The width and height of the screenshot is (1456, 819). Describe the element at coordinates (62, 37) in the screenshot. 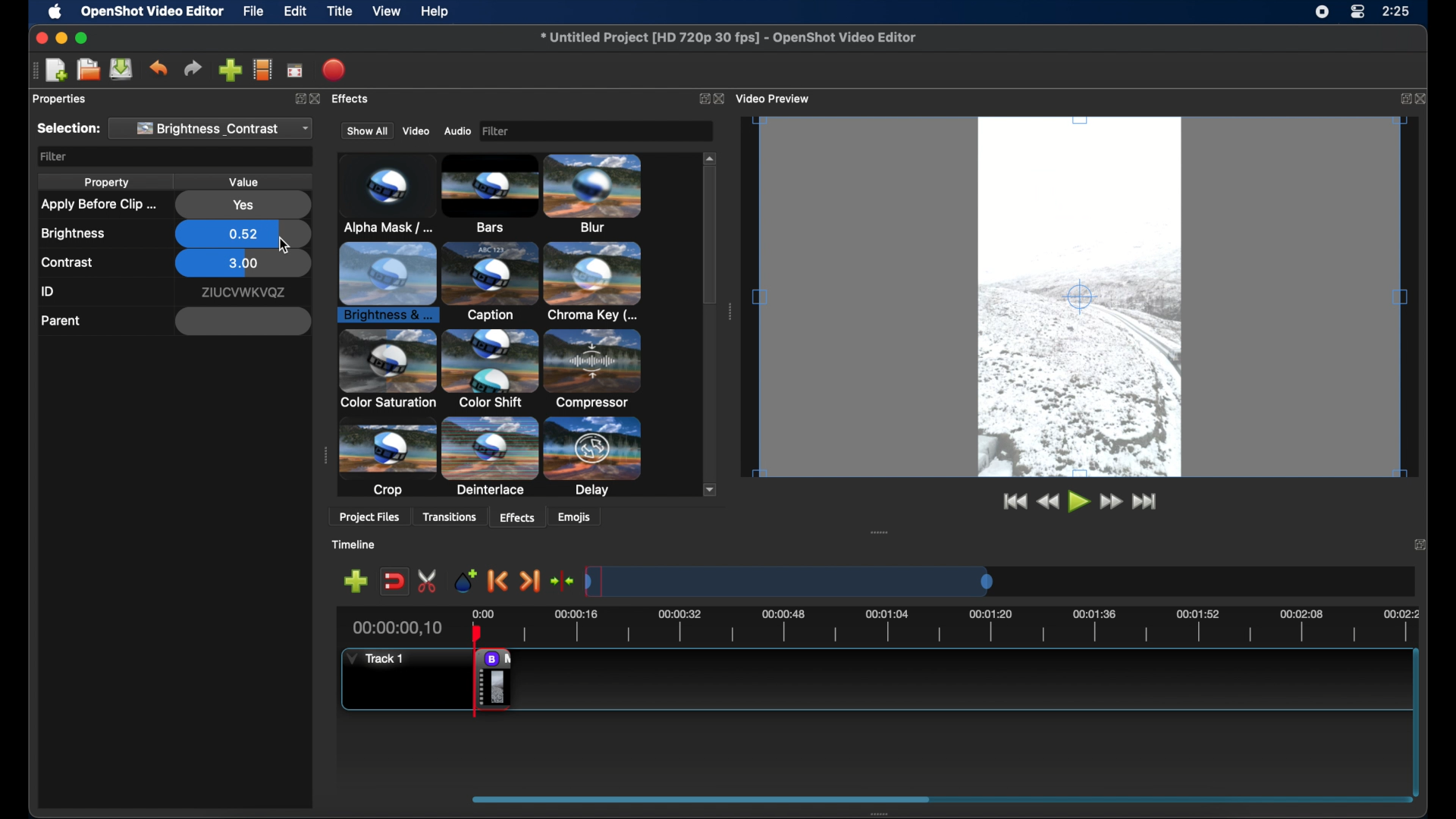

I see `minimize` at that location.